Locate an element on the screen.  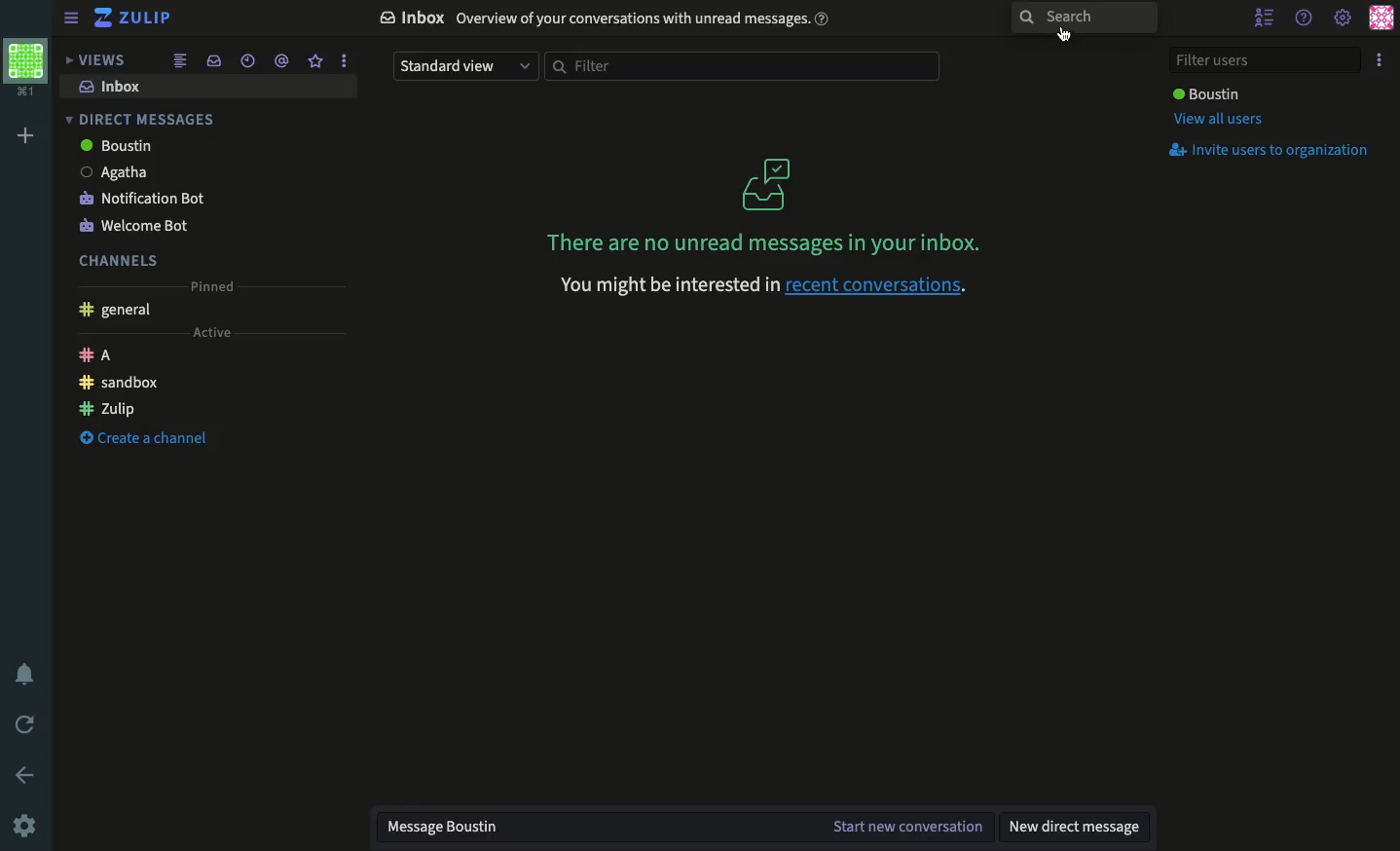
User is located at coordinates (1205, 93).